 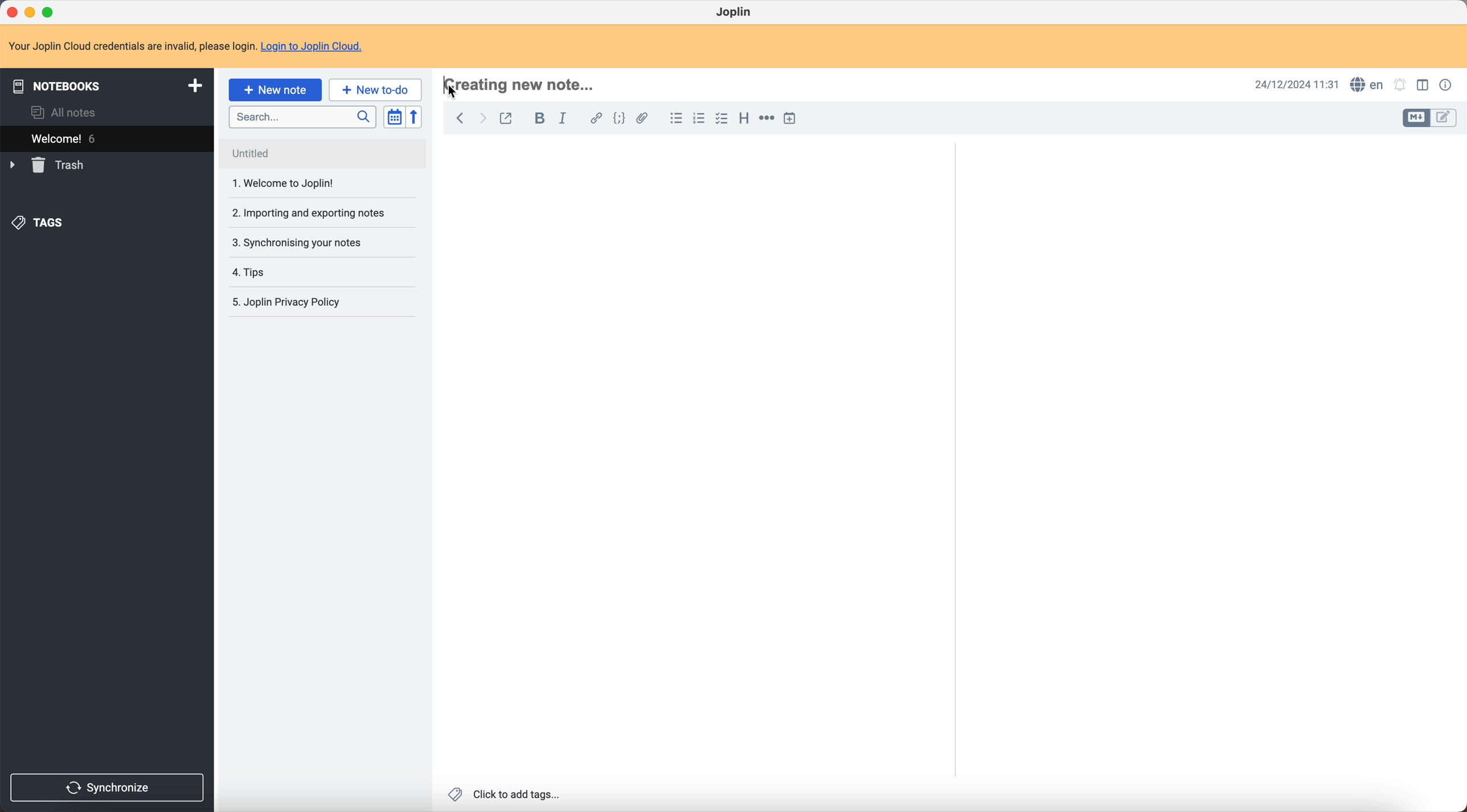 I want to click on numbered list, so click(x=700, y=118).